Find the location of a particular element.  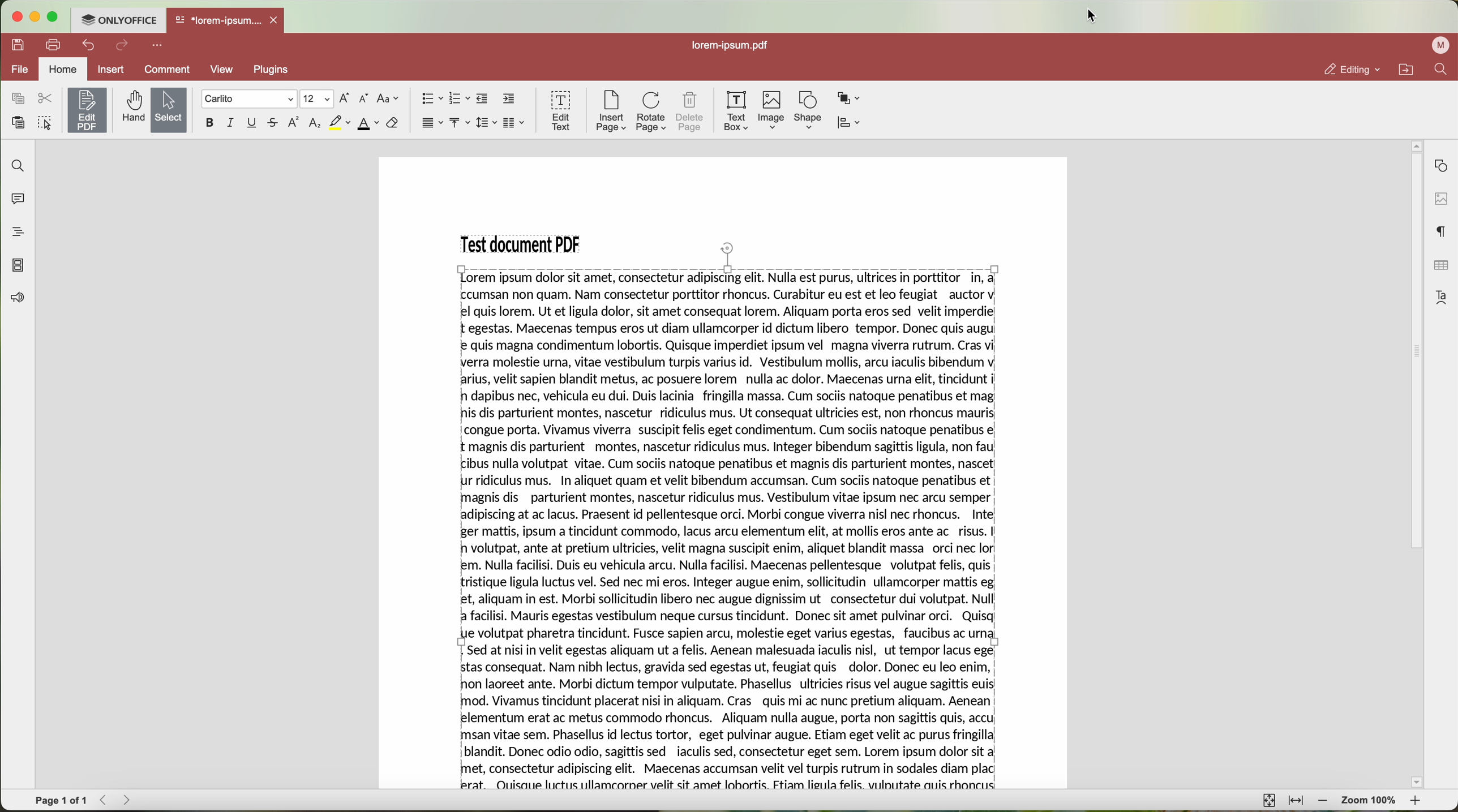

undo is located at coordinates (90, 45).